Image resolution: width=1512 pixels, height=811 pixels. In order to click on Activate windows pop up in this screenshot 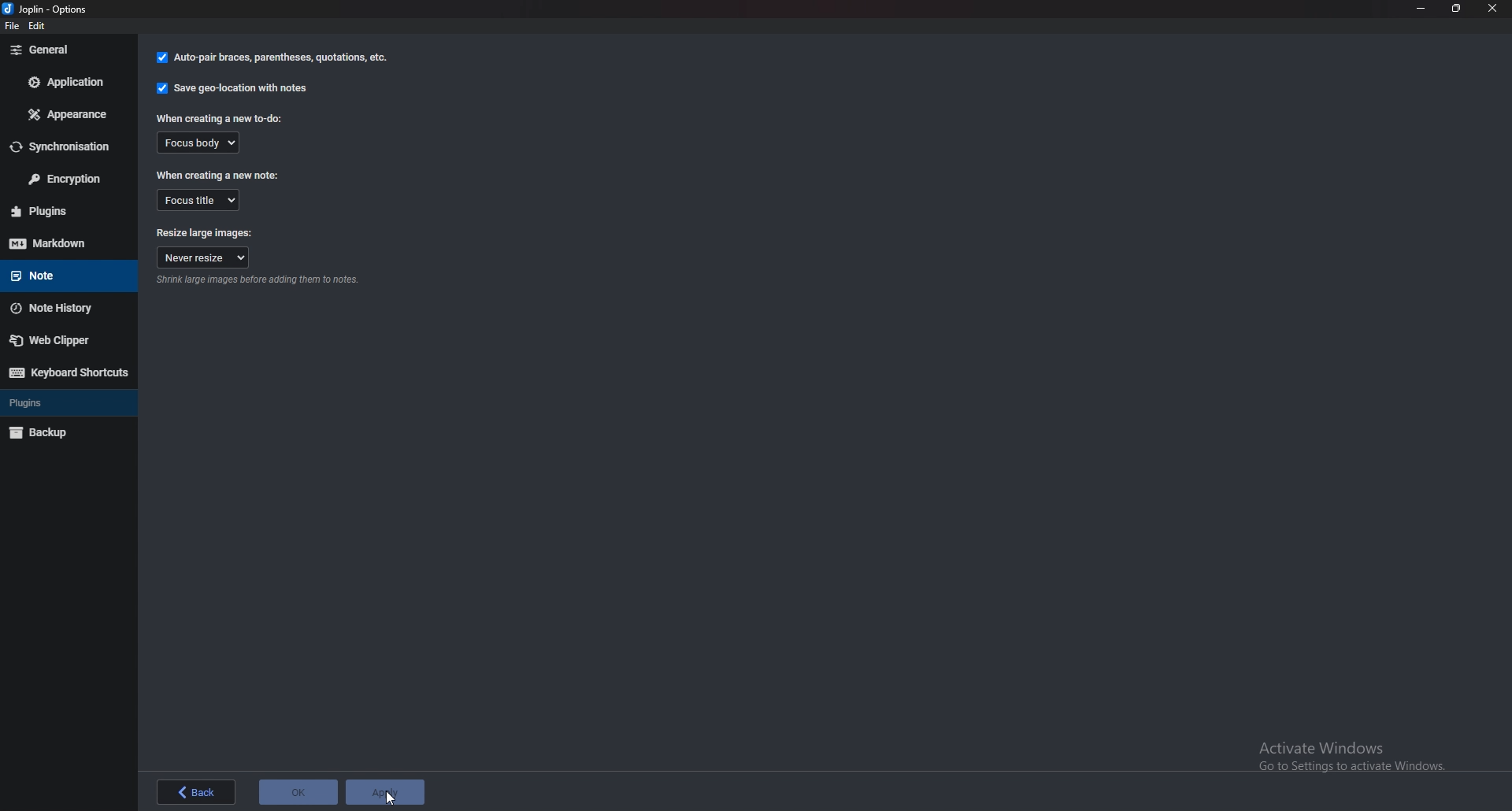, I will do `click(1357, 753)`.